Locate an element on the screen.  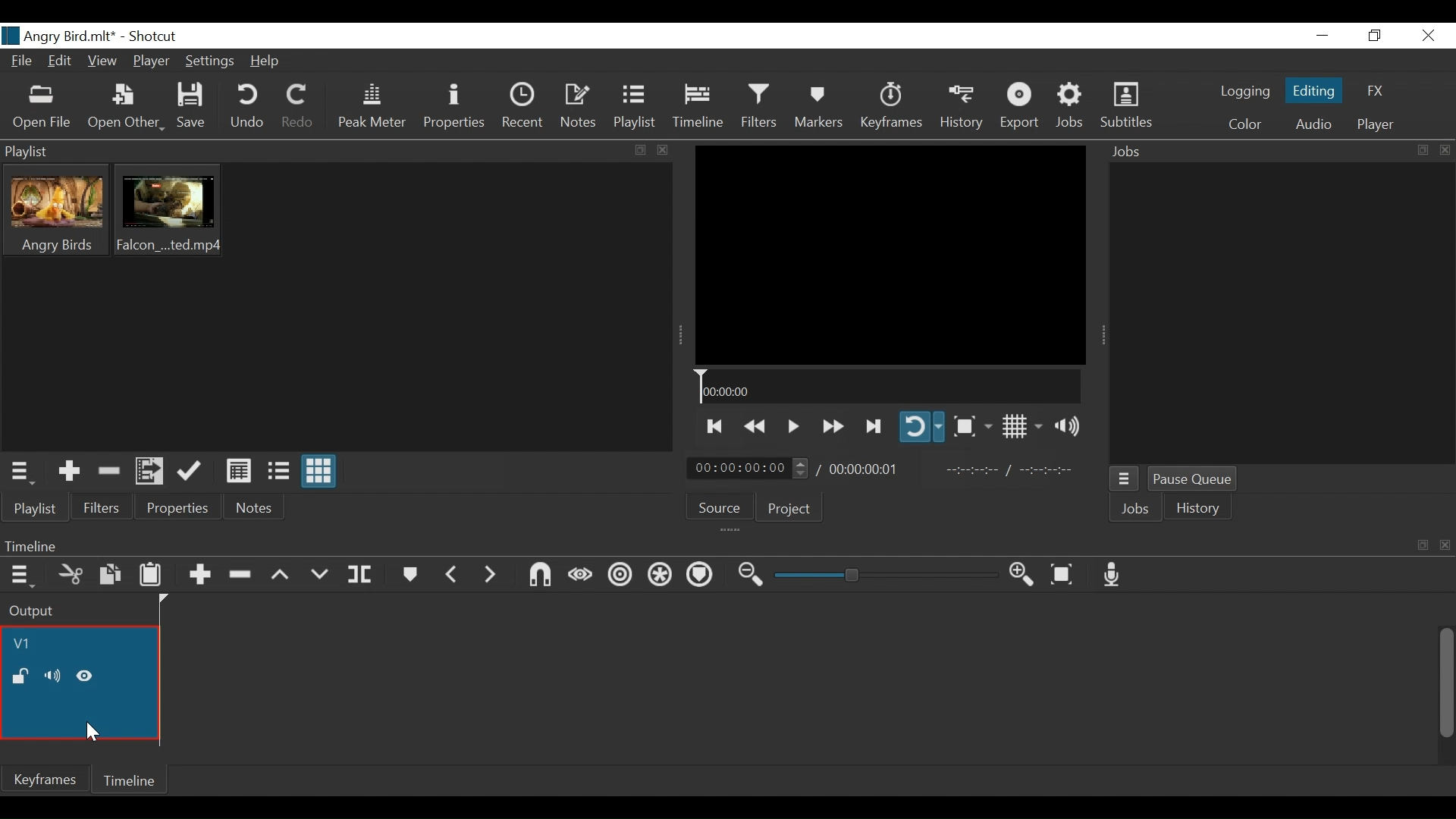
Timeline is located at coordinates (888, 385).